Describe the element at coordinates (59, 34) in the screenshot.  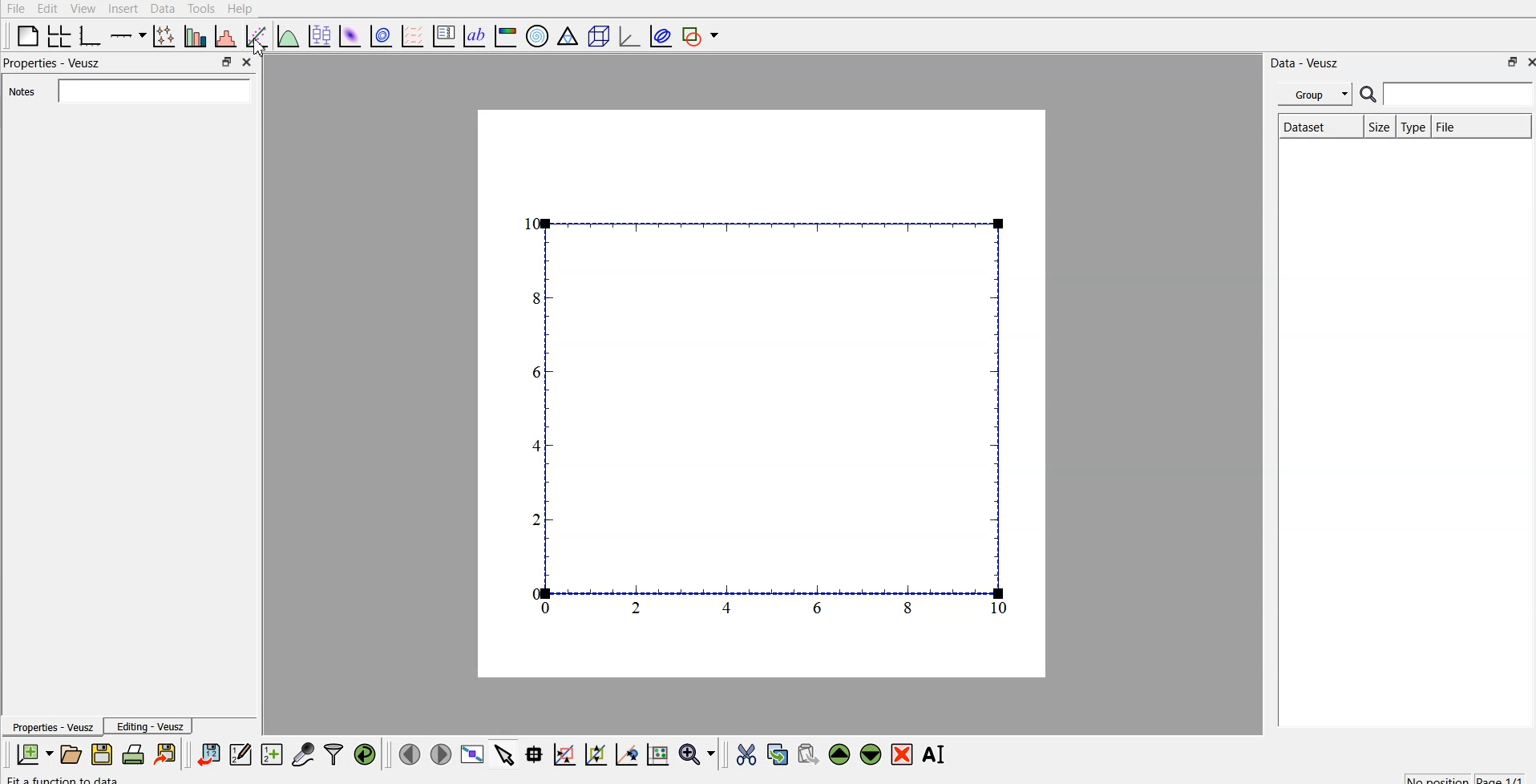
I see `arrange graphs in a grid` at that location.